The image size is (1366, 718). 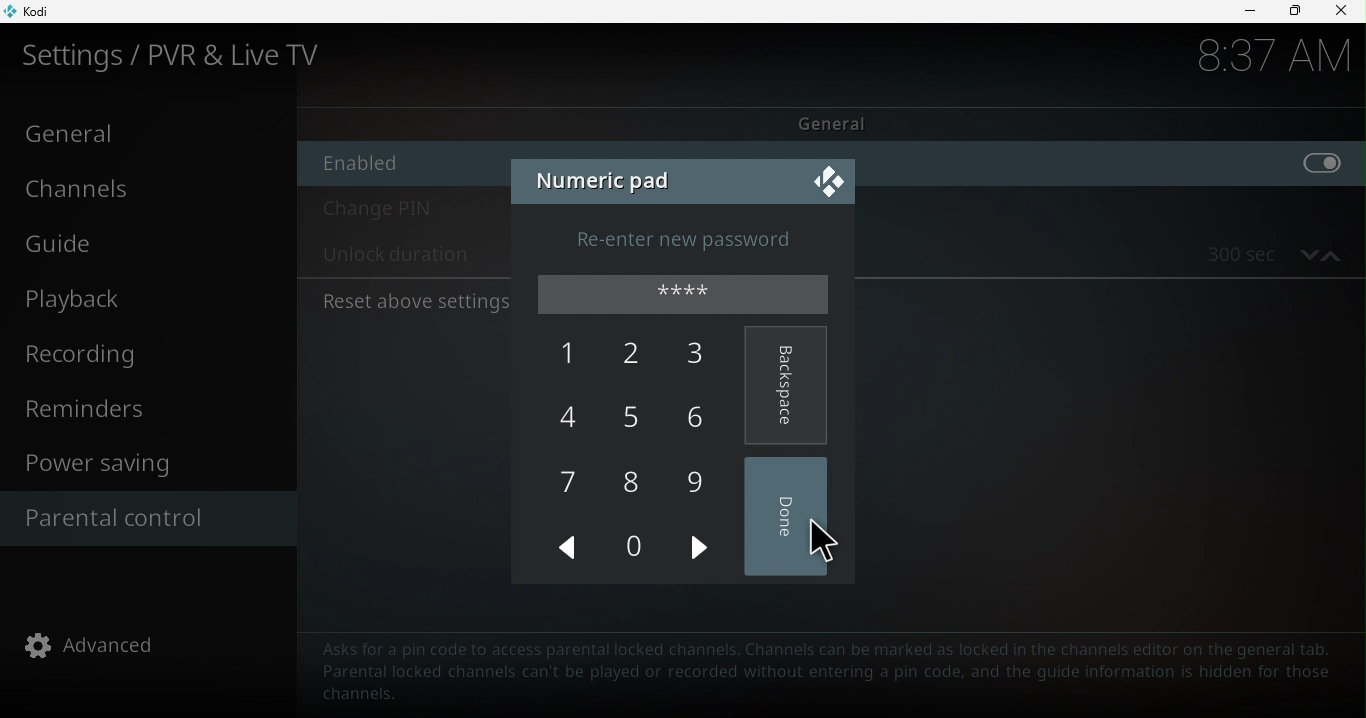 What do you see at coordinates (793, 517) in the screenshot?
I see `Done` at bounding box center [793, 517].